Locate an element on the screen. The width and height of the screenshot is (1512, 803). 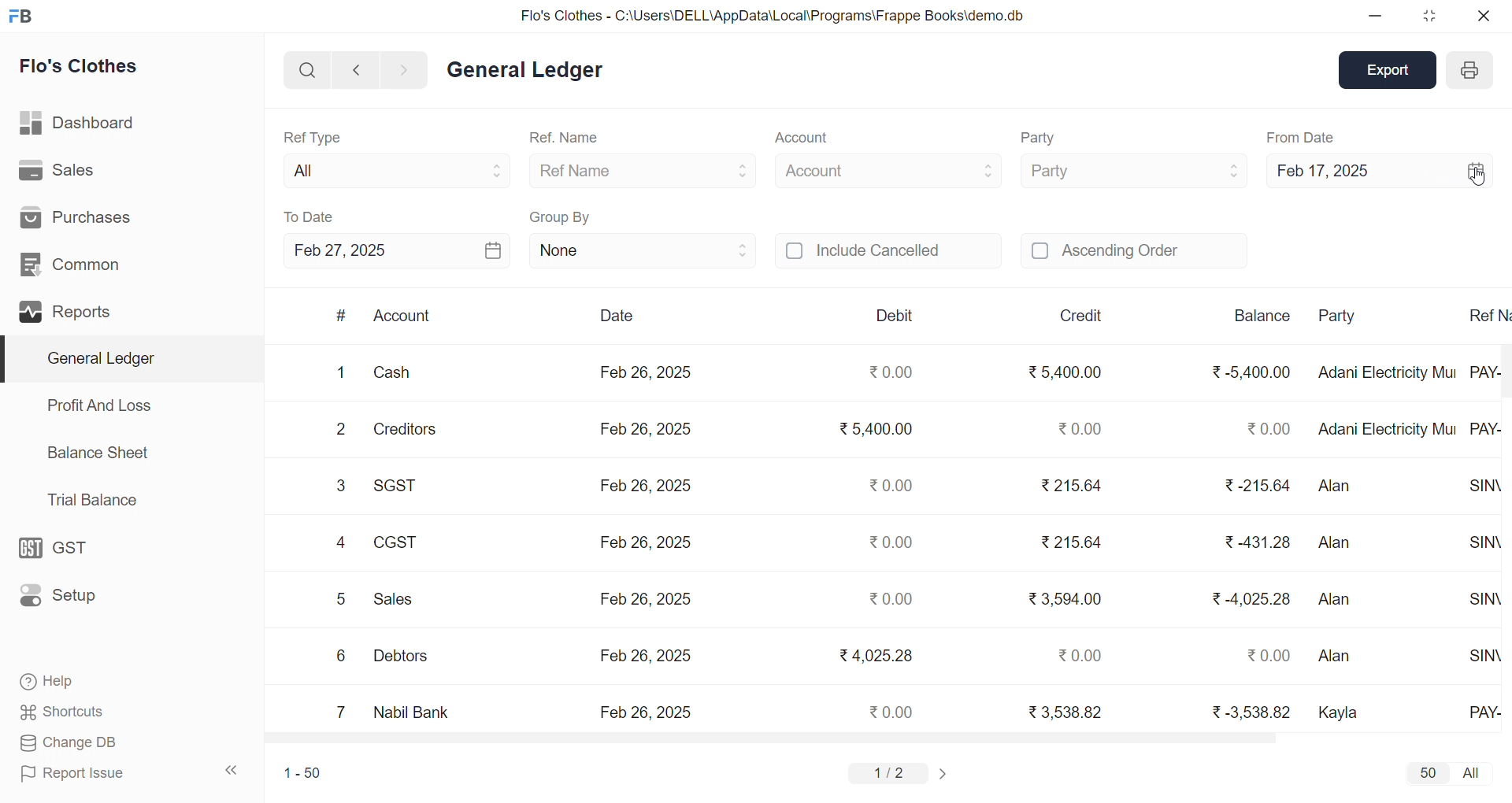
PAY- is located at coordinates (1485, 426).